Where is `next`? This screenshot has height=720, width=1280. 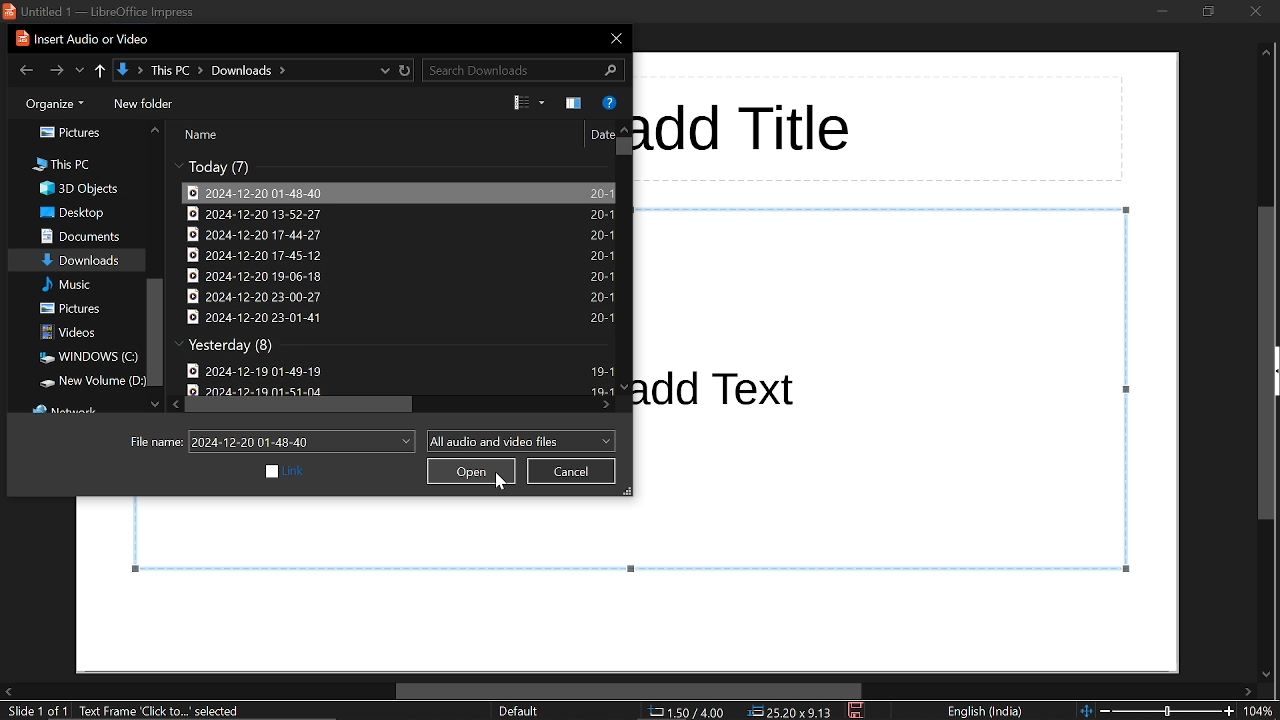
next is located at coordinates (57, 70).